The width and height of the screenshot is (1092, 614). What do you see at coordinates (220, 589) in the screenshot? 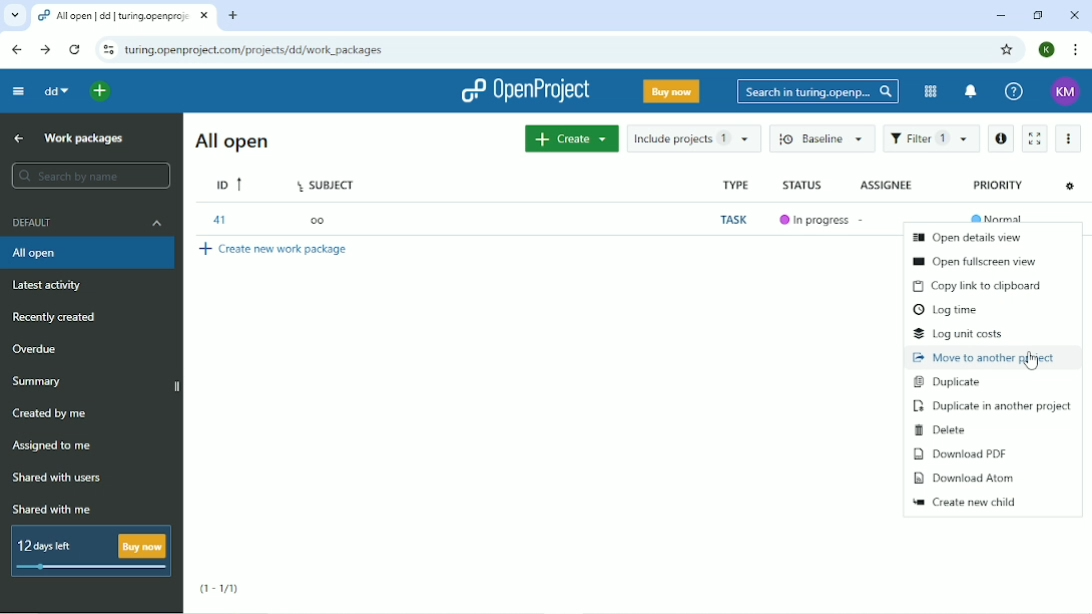
I see `(1-1/1)` at bounding box center [220, 589].